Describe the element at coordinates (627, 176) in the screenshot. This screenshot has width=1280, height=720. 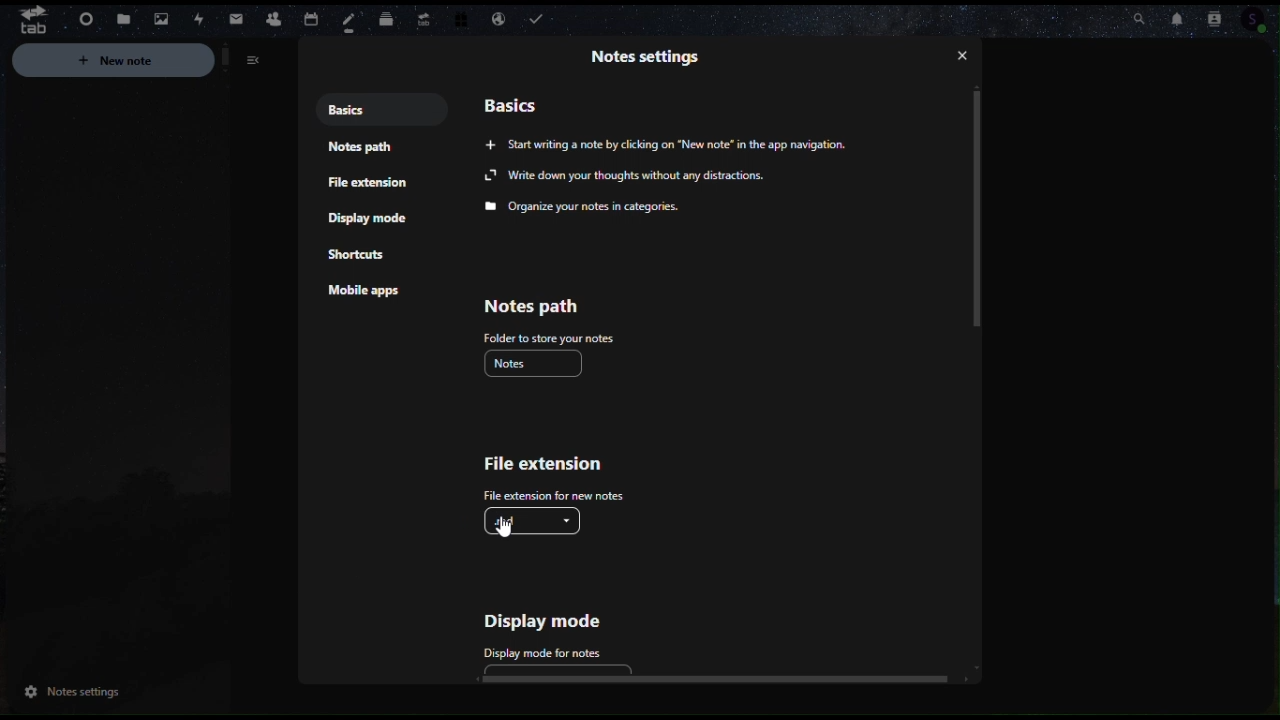
I see `write down your thoughts` at that location.